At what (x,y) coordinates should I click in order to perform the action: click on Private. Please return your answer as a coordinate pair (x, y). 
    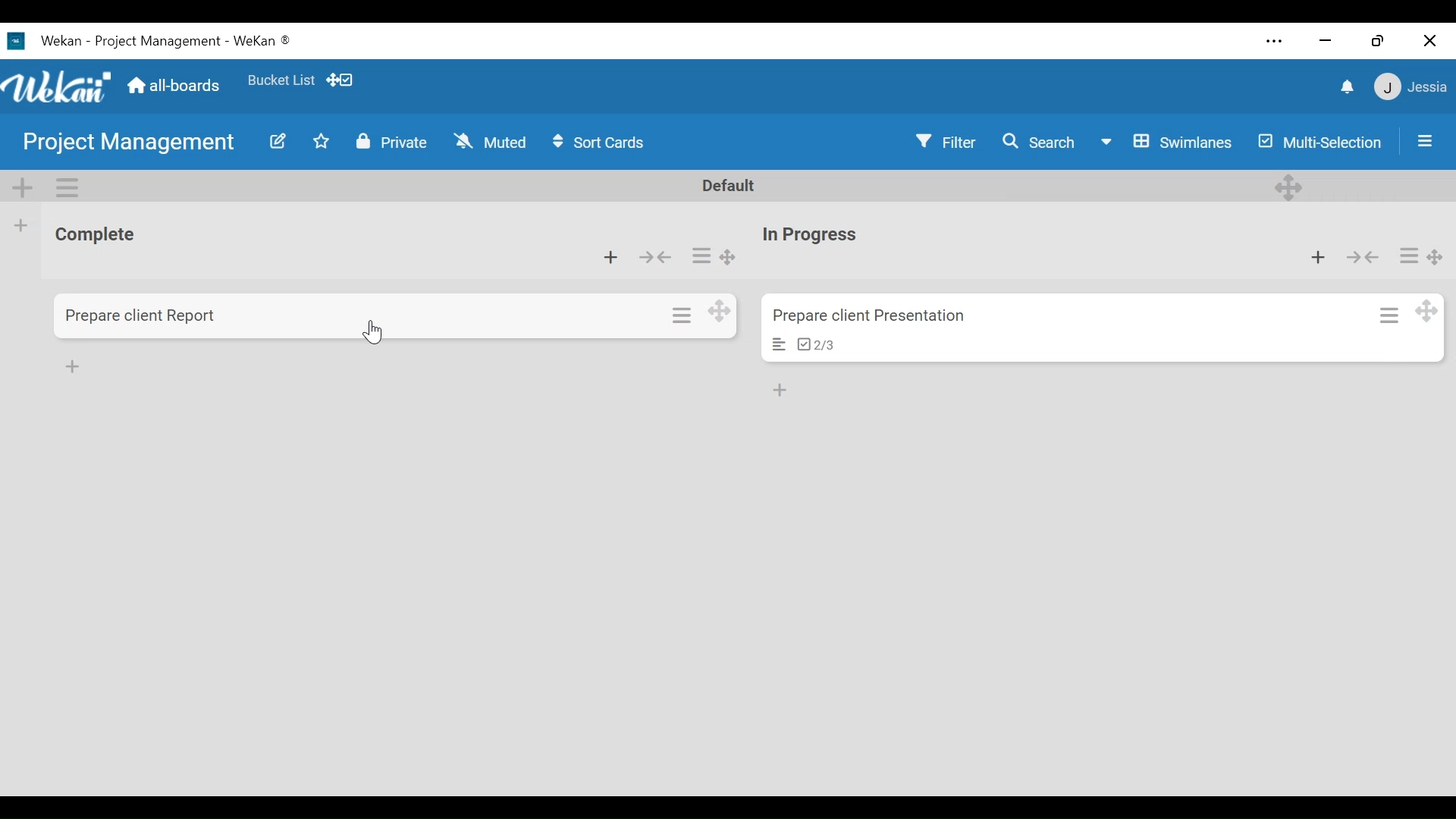
    Looking at the image, I should click on (388, 143).